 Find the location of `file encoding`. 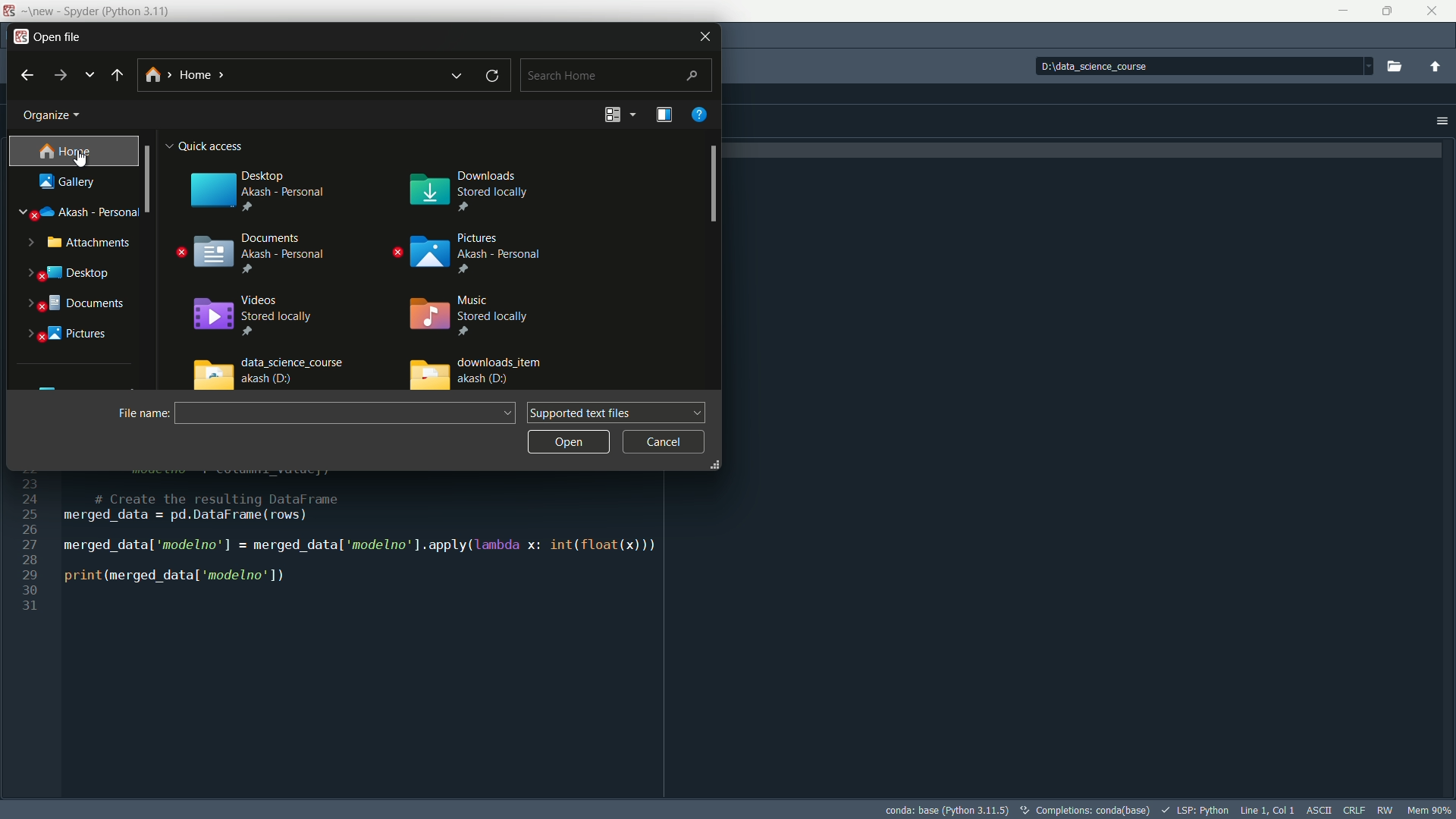

file encoding is located at coordinates (1319, 808).